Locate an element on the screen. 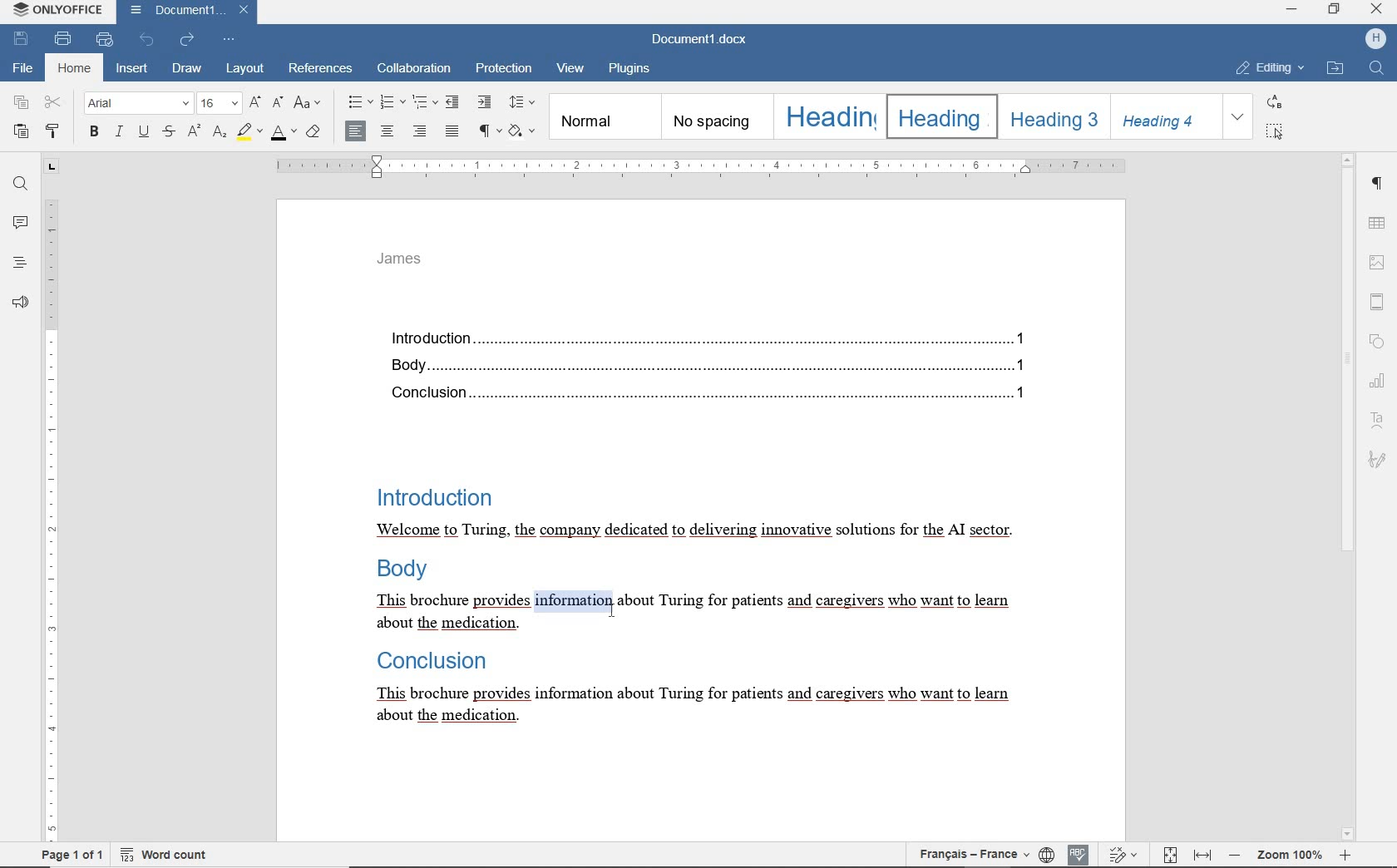 This screenshot has width=1397, height=868. LAYOUT is located at coordinates (243, 70).